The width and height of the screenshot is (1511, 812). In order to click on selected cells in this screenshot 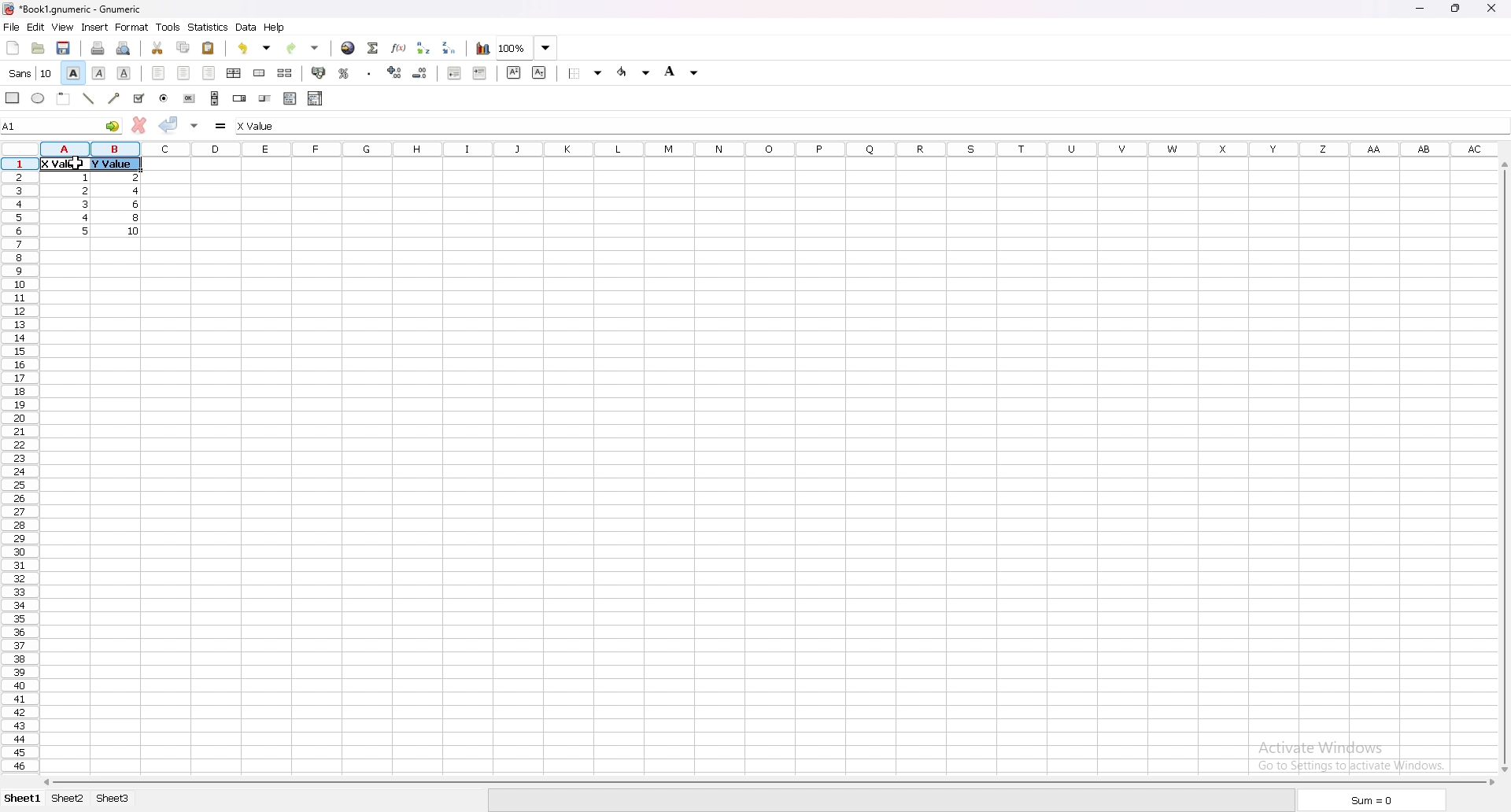, I will do `click(91, 164)`.